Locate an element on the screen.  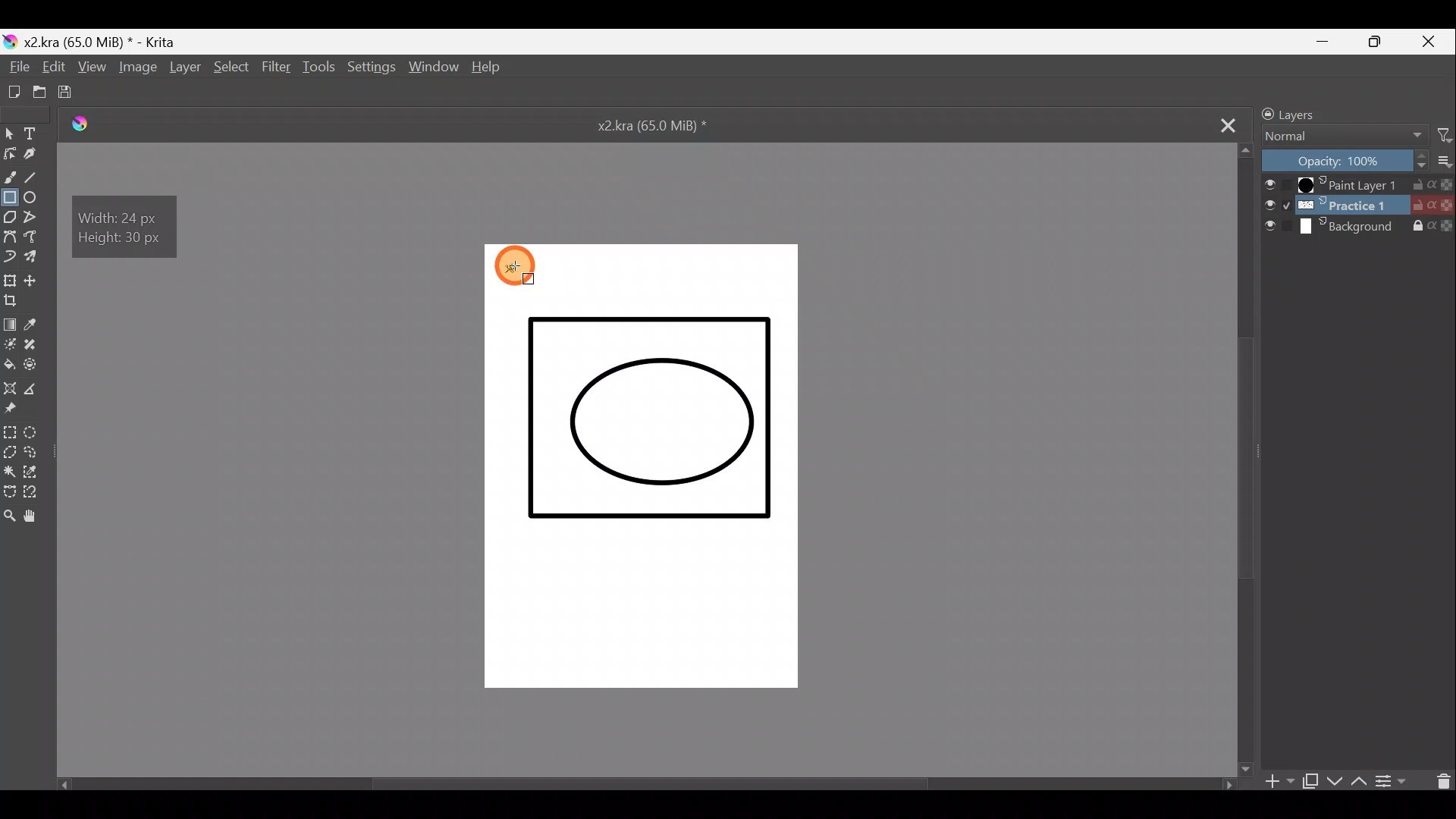
Canvas is located at coordinates (642, 462).